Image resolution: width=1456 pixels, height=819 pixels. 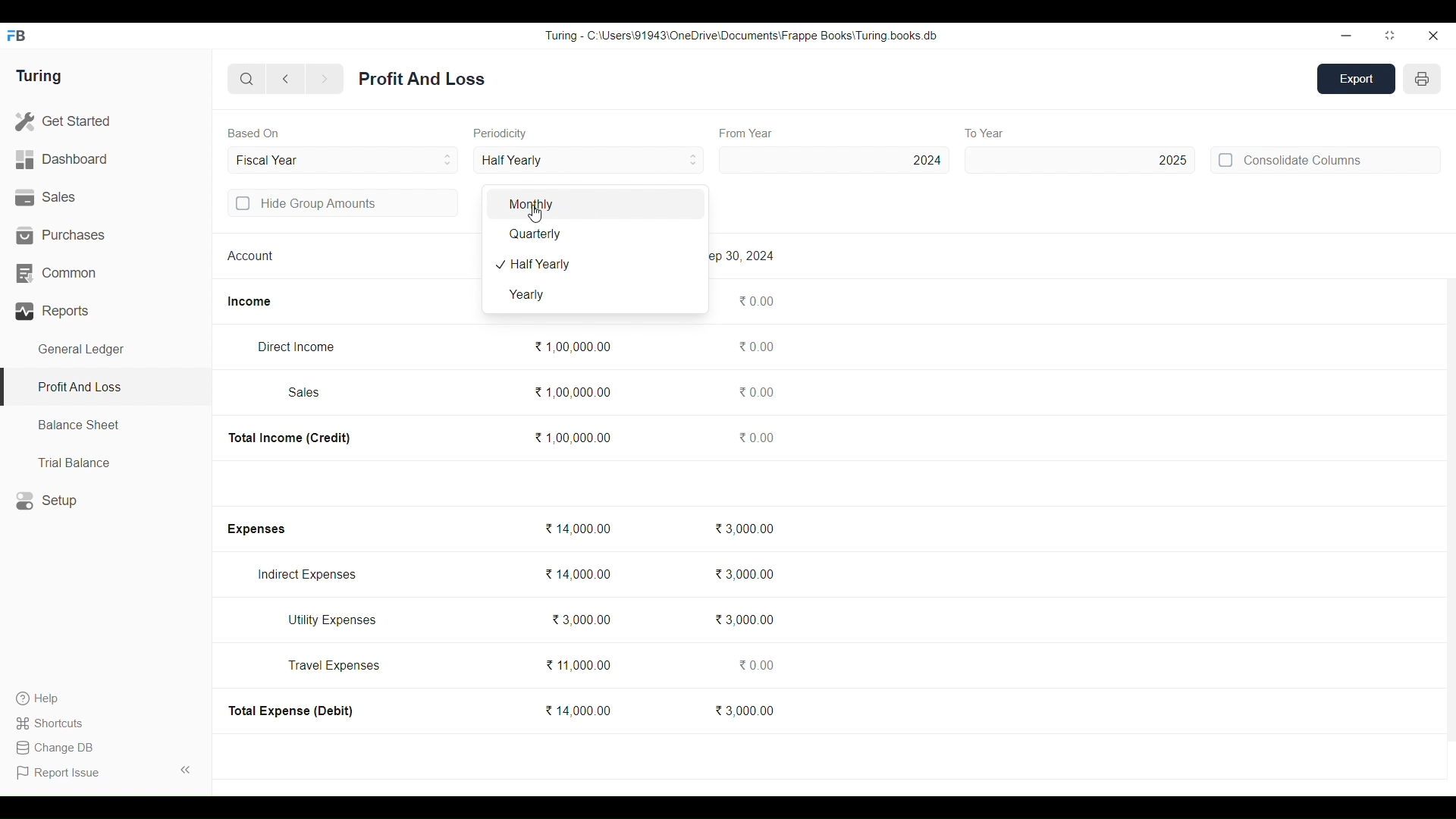 What do you see at coordinates (576, 529) in the screenshot?
I see `14,000.00` at bounding box center [576, 529].